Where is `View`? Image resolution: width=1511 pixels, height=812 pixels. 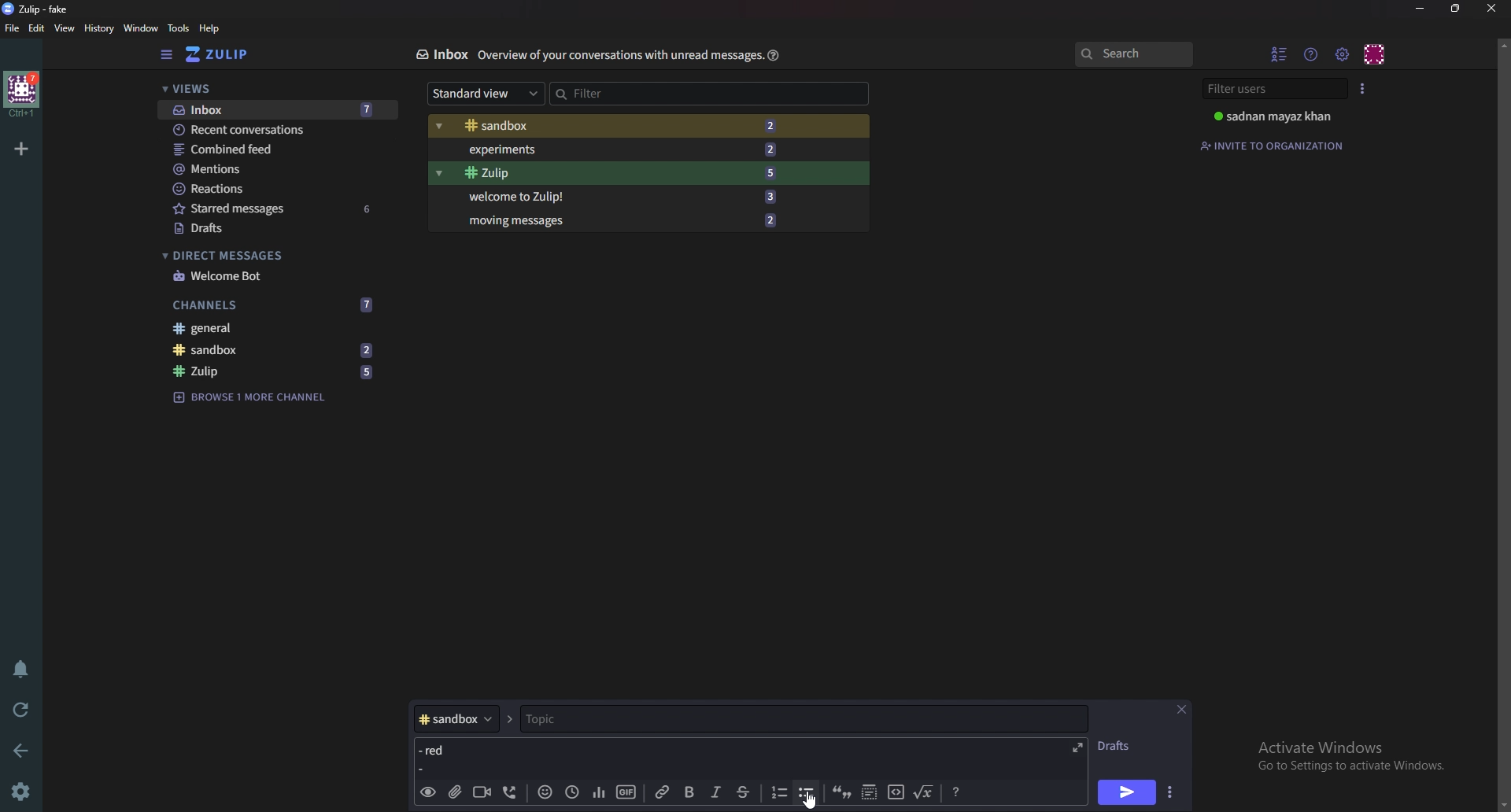 View is located at coordinates (65, 29).